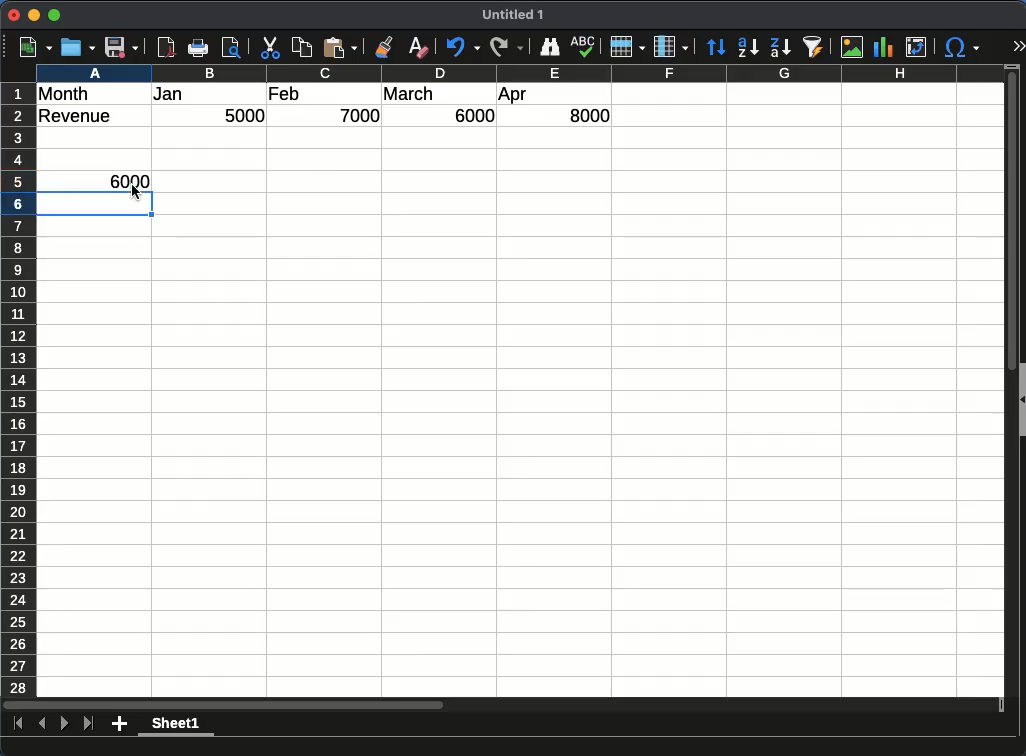  I want to click on maximize, so click(54, 15).